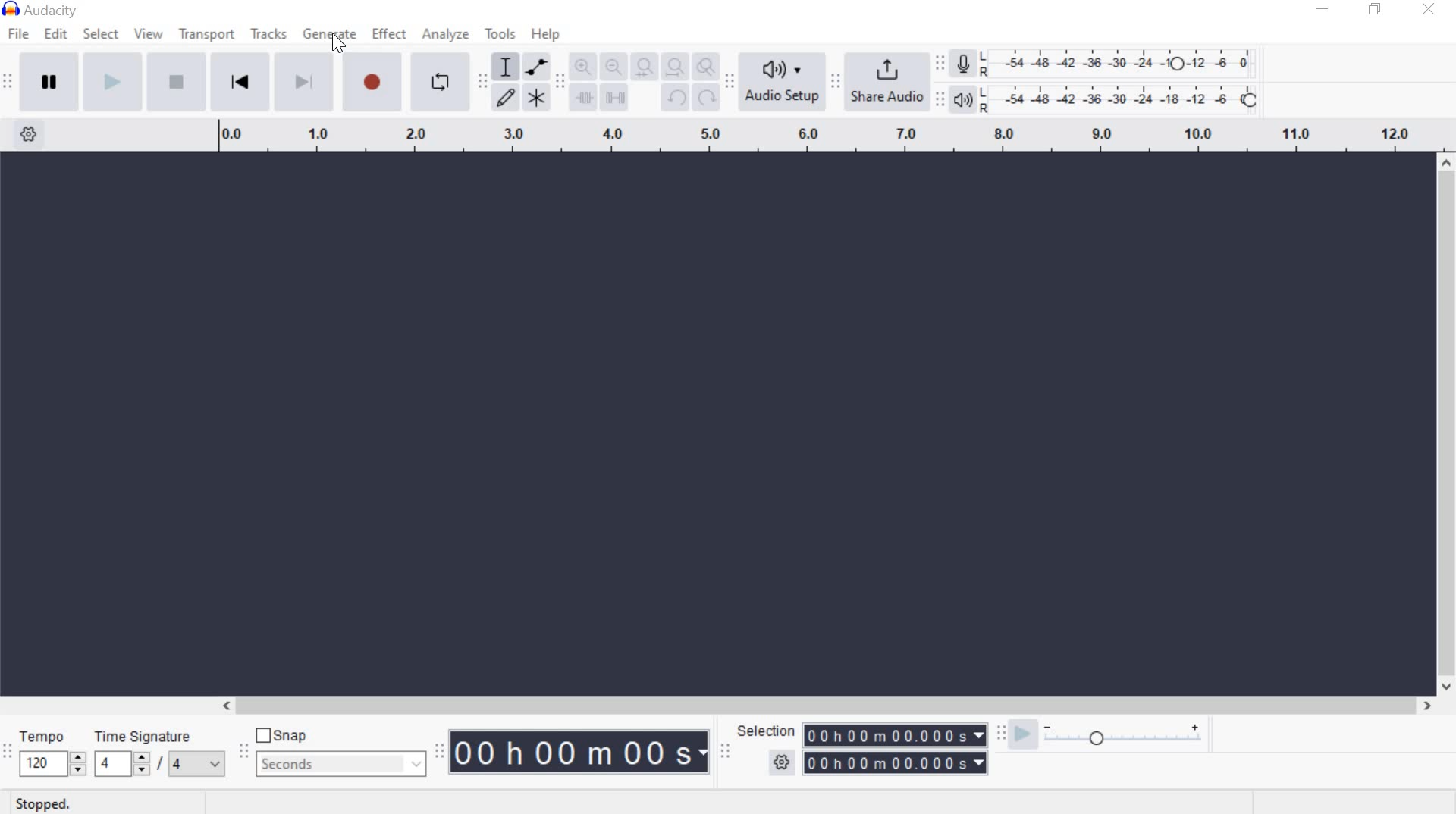 The width and height of the screenshot is (1456, 814). I want to click on Zoom In, so click(582, 66).